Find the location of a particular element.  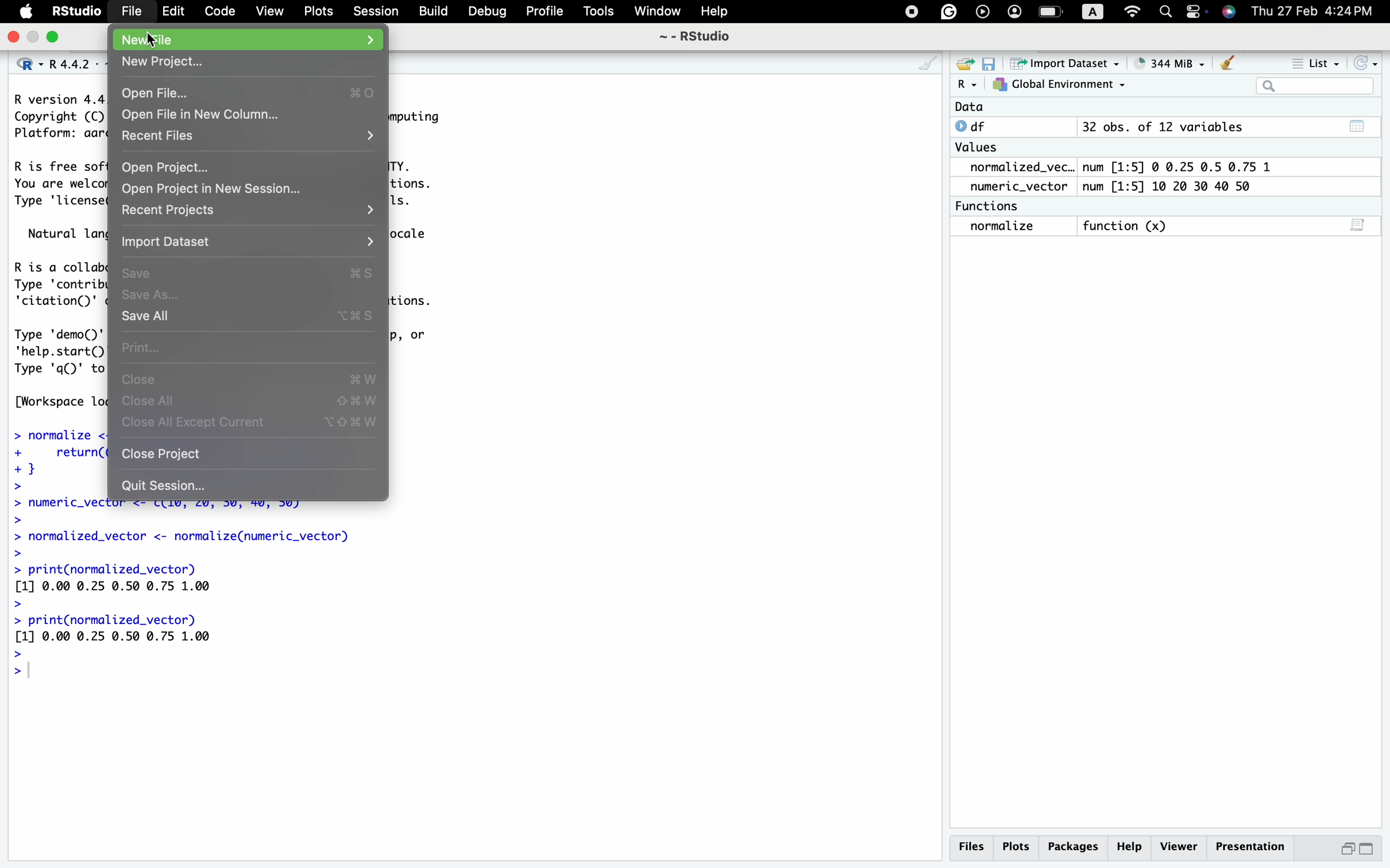

Session is located at coordinates (374, 13).